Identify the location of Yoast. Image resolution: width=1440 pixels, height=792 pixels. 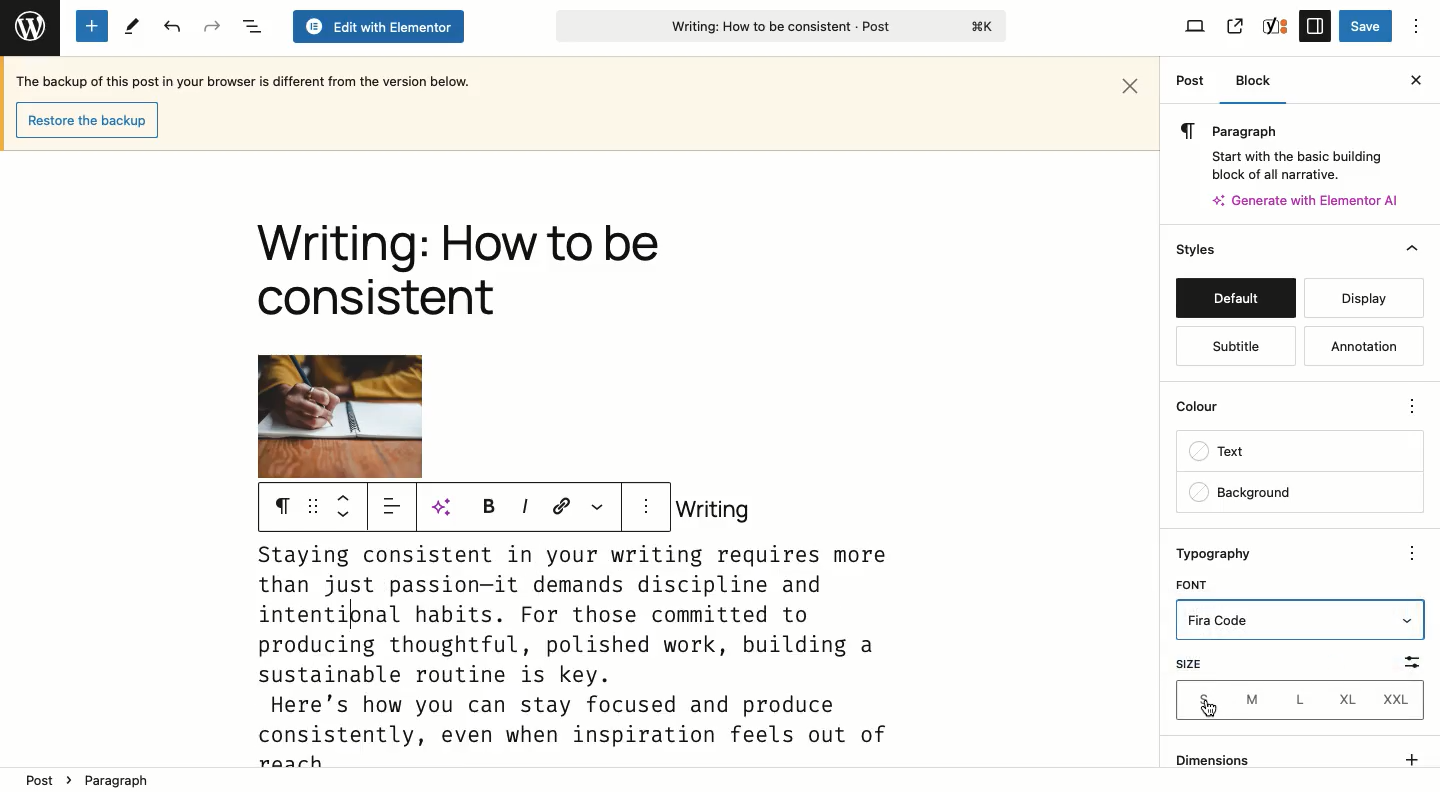
(1276, 25).